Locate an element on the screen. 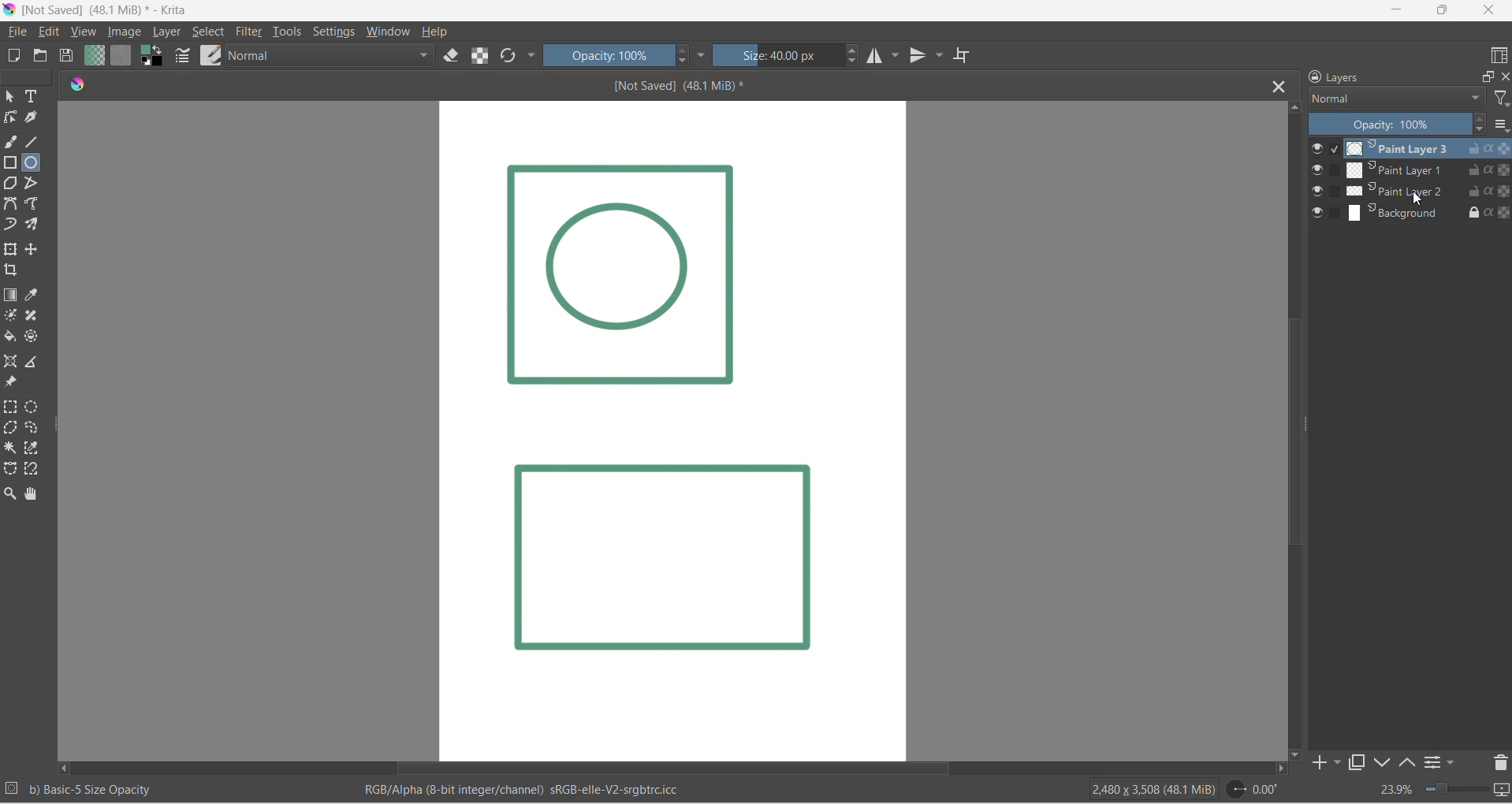 Image resolution: width=1512 pixels, height=804 pixels. move up button is located at coordinates (1294, 108).